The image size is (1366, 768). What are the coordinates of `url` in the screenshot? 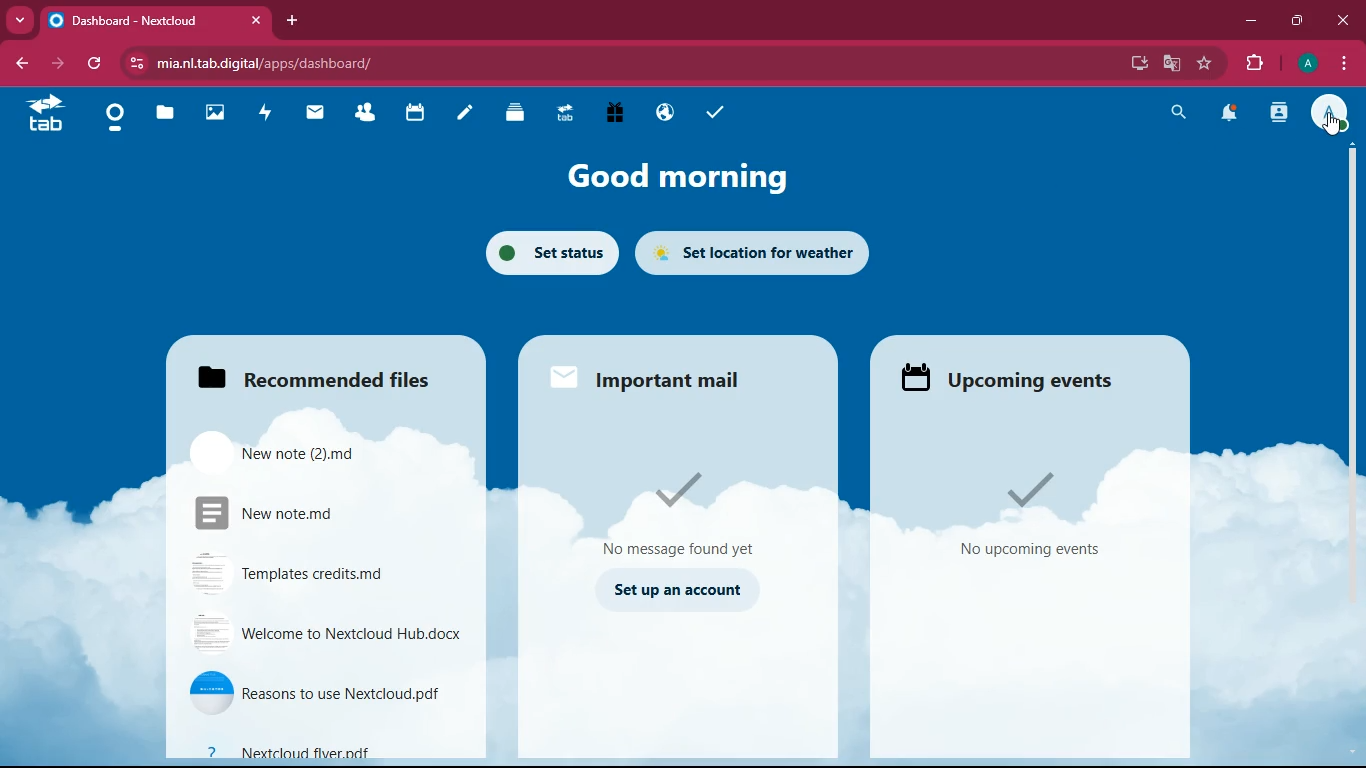 It's located at (281, 63).